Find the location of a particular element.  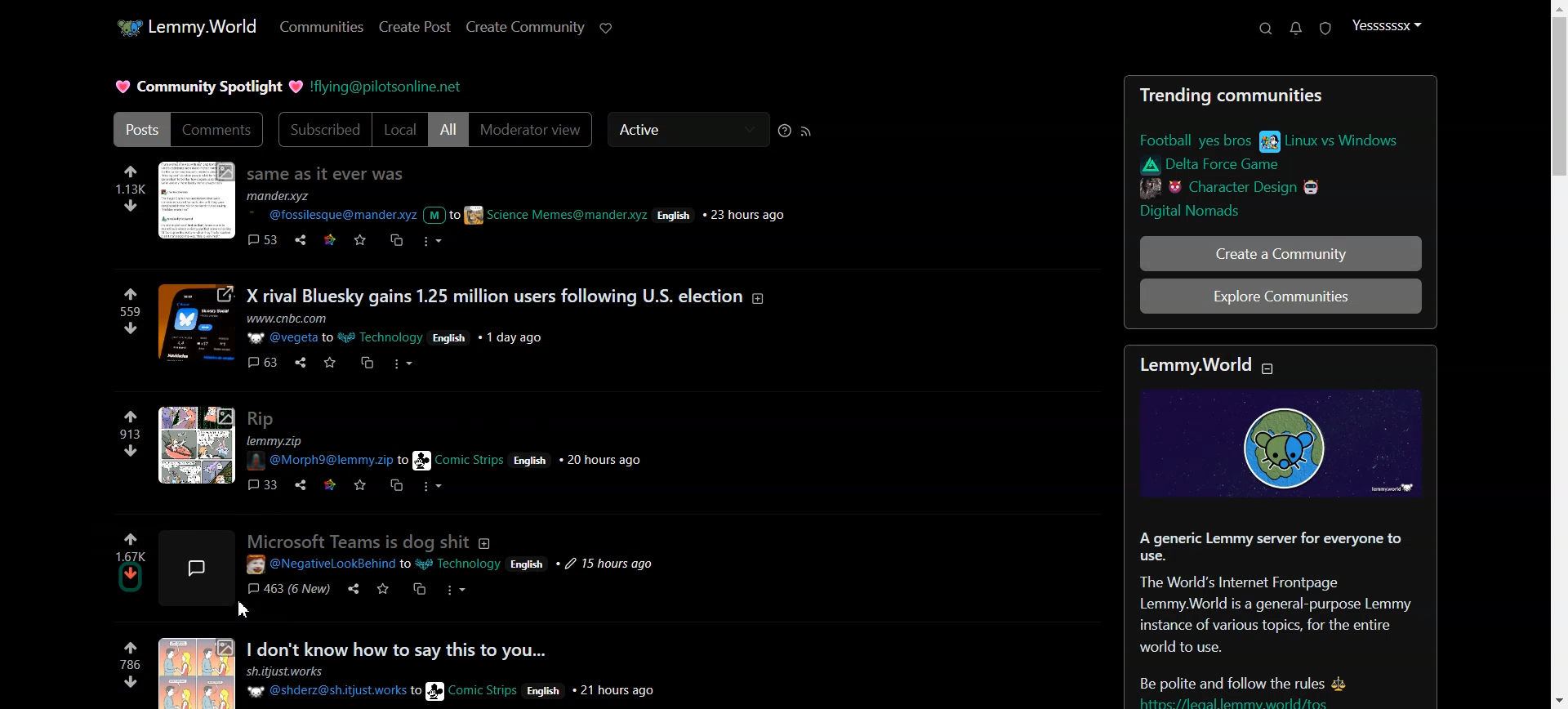

113k is located at coordinates (131, 190).